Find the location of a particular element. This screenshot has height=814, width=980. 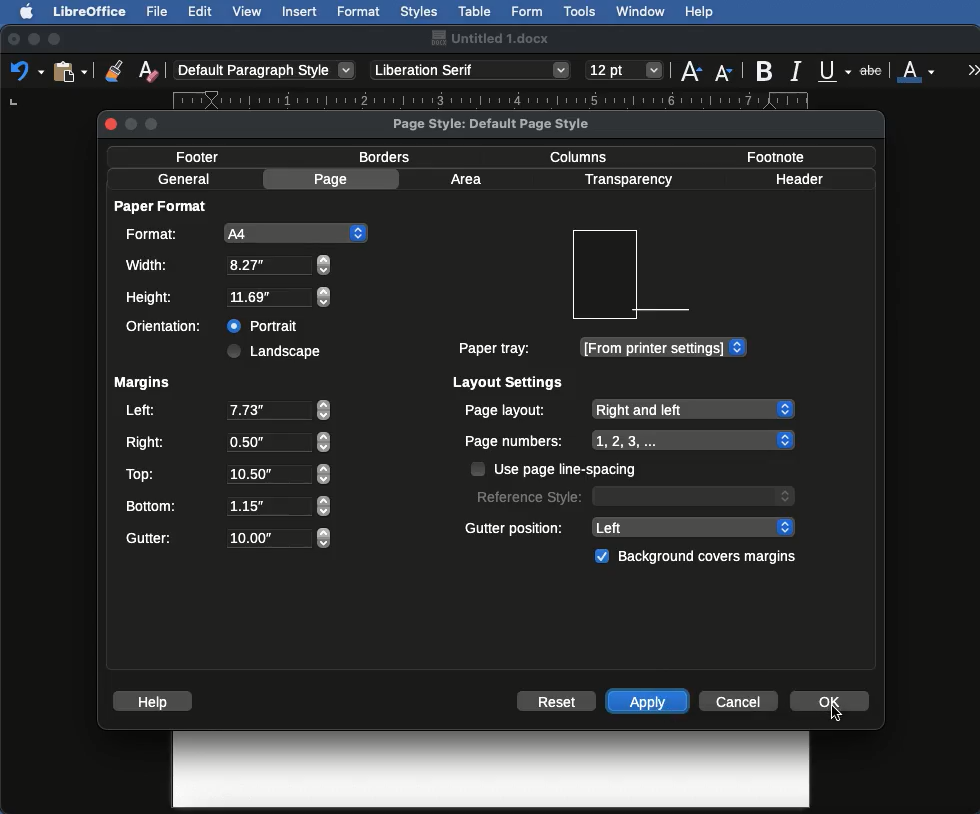

Page layout is located at coordinates (628, 409).